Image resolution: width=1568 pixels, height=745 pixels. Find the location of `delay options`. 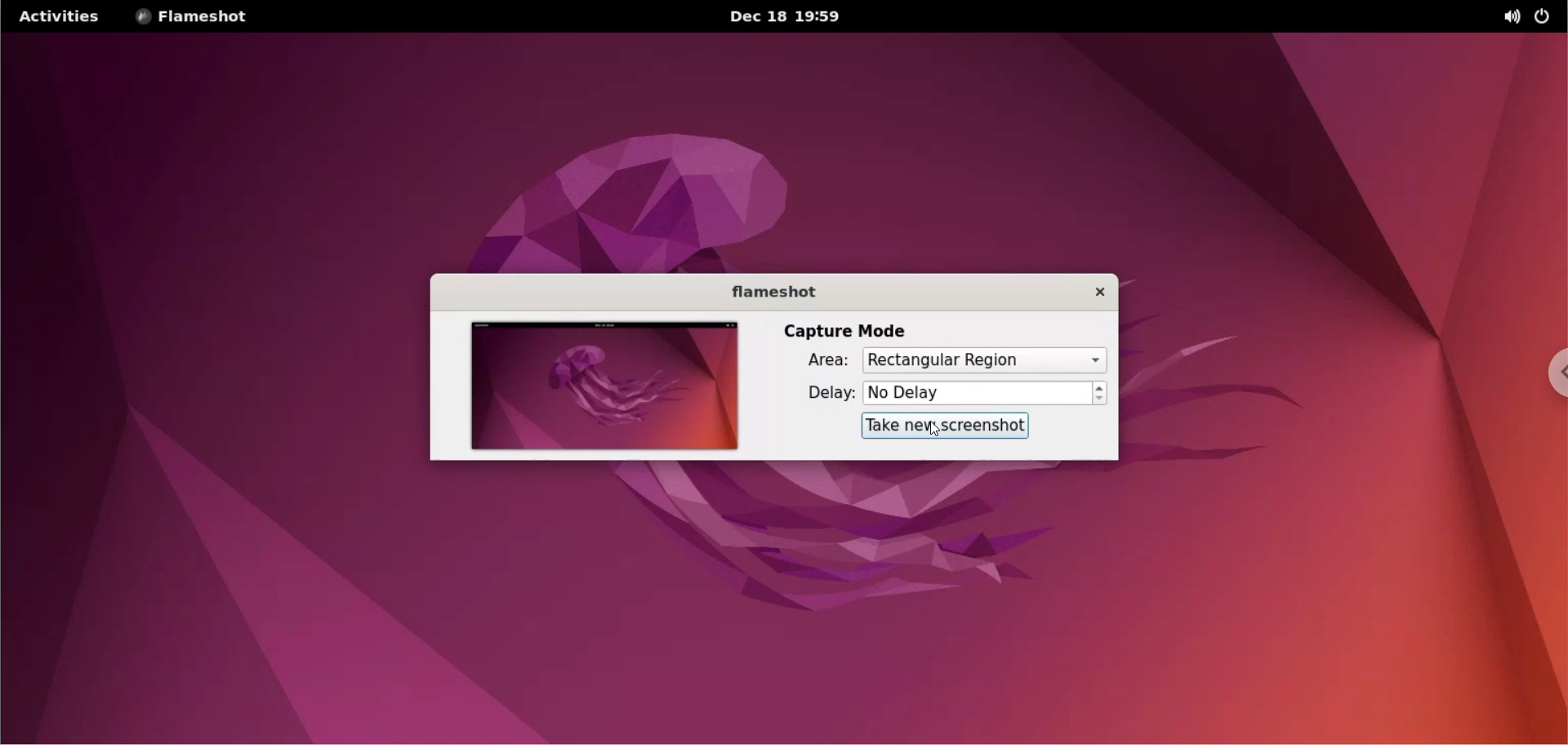

delay options is located at coordinates (978, 393).